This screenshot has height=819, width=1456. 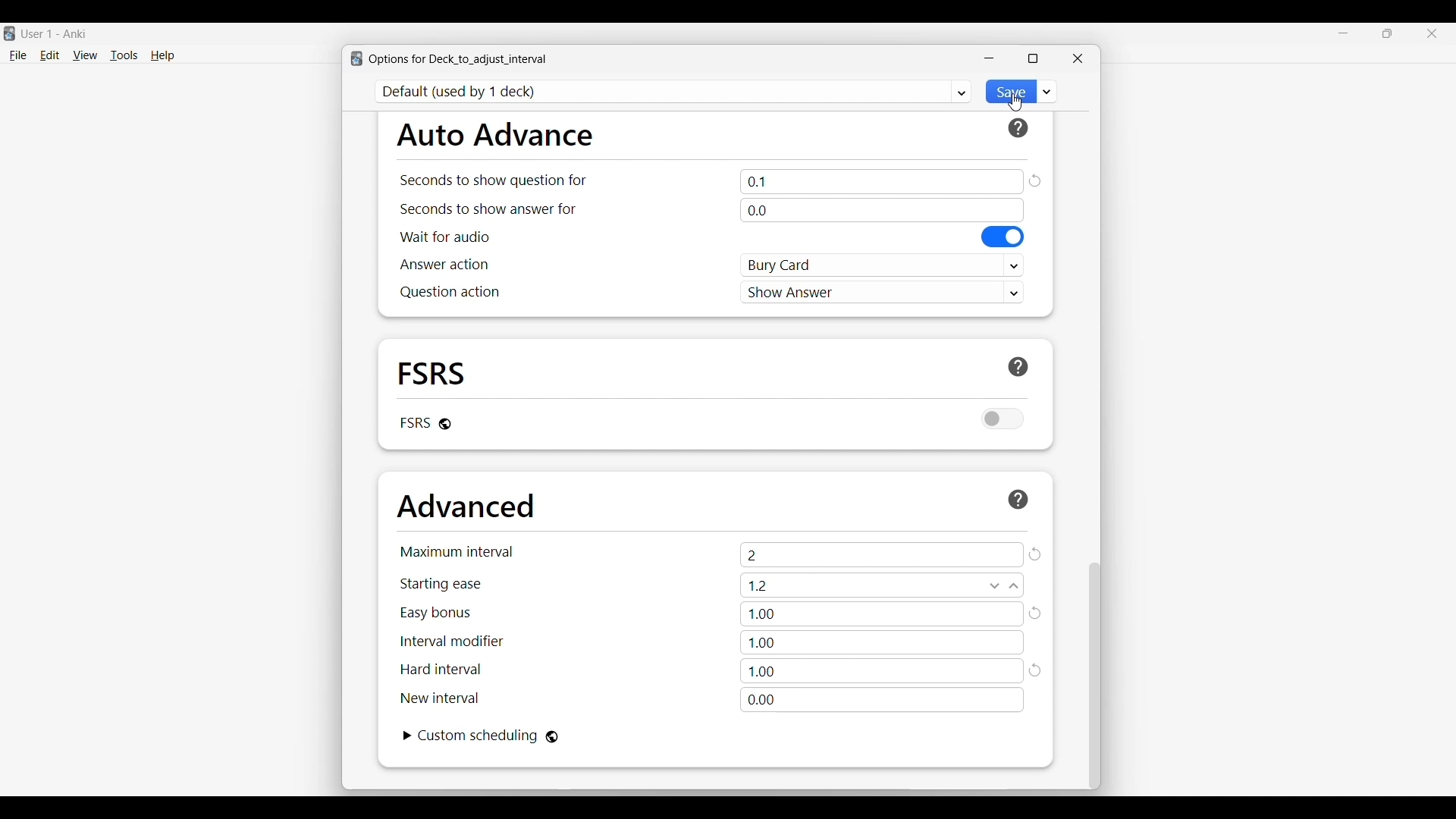 What do you see at coordinates (488, 209) in the screenshot?
I see `Indicates seconds to show answer for` at bounding box center [488, 209].